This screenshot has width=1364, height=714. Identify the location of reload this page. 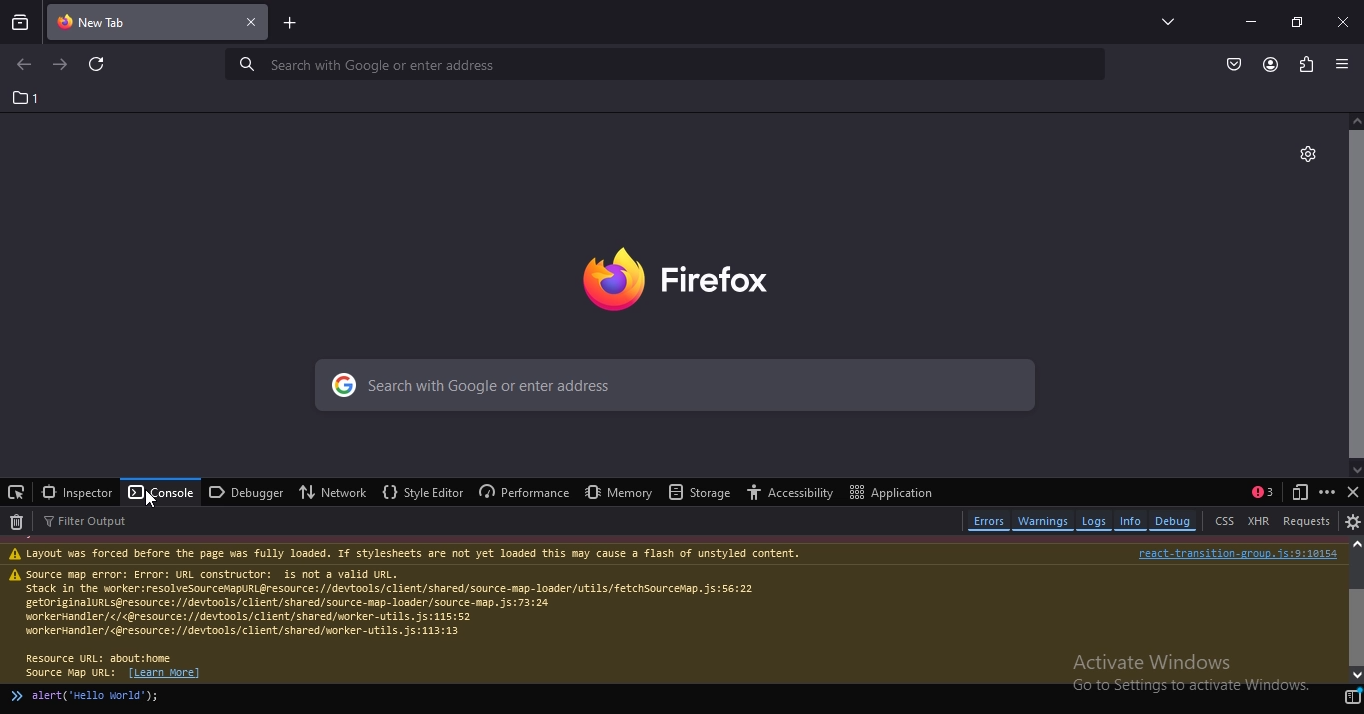
(101, 66).